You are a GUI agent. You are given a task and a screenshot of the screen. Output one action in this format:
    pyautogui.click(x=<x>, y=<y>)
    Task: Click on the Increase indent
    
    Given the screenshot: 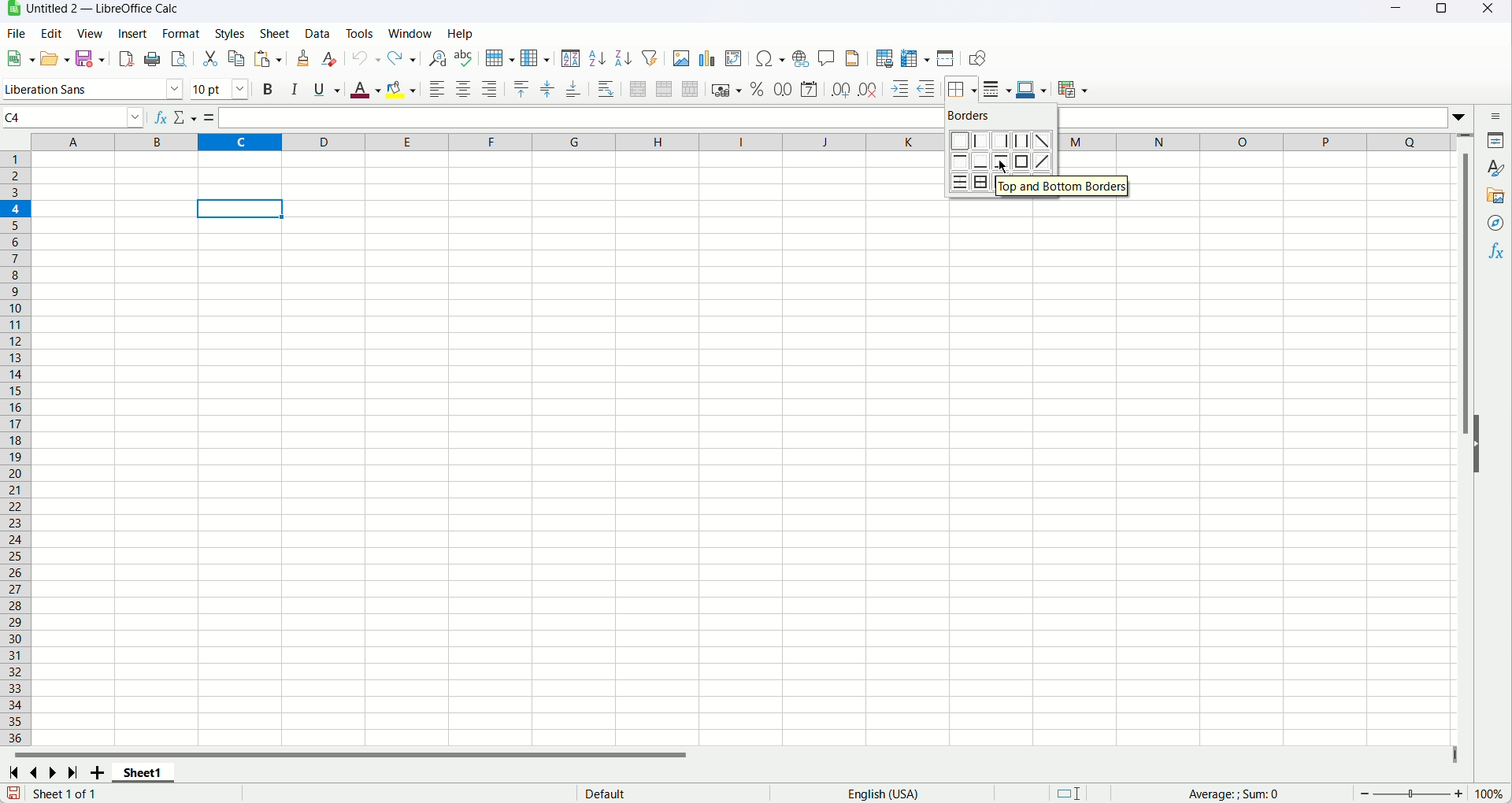 What is the action you would take?
    pyautogui.click(x=899, y=90)
    